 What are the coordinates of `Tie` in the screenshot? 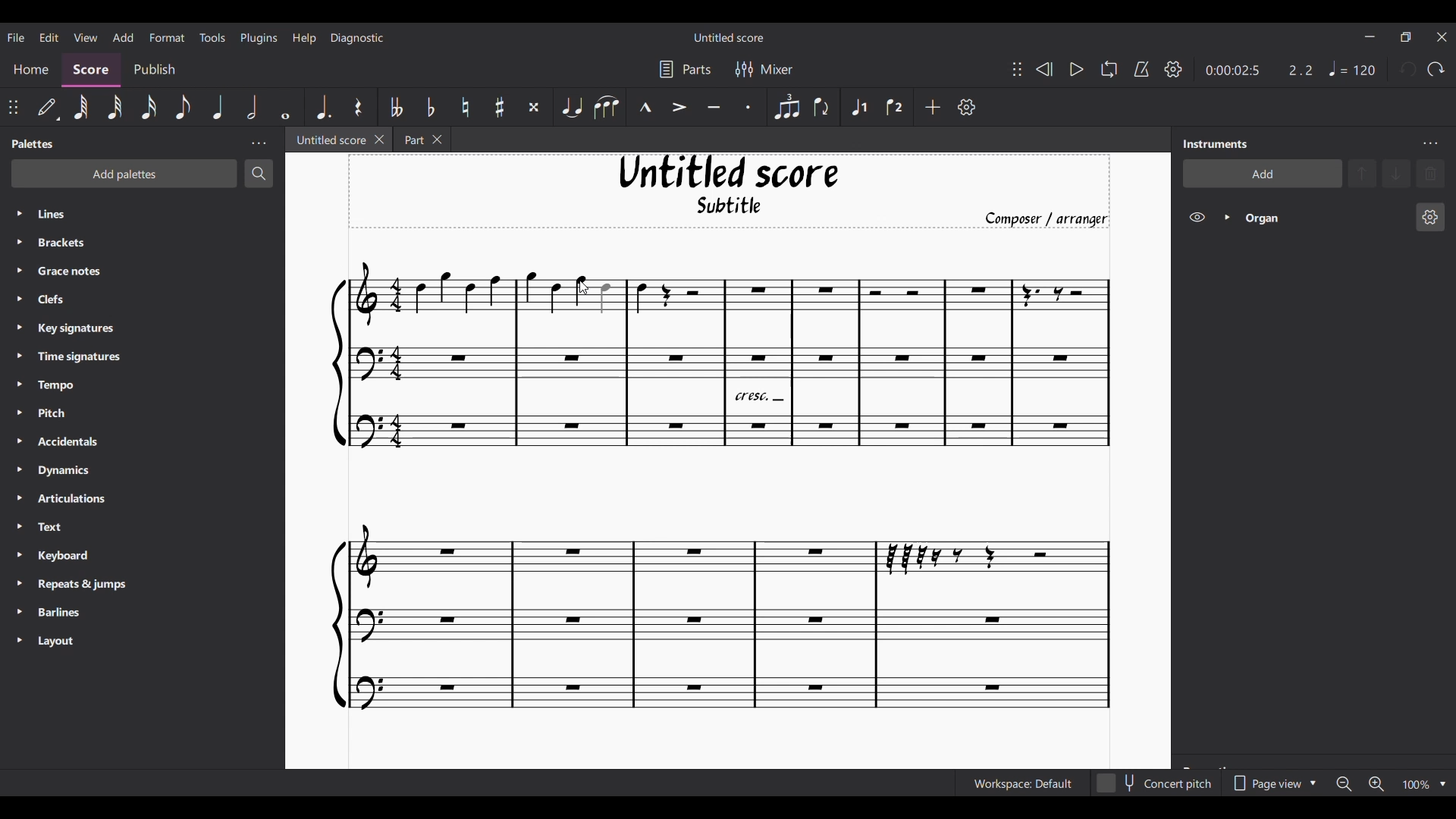 It's located at (572, 107).